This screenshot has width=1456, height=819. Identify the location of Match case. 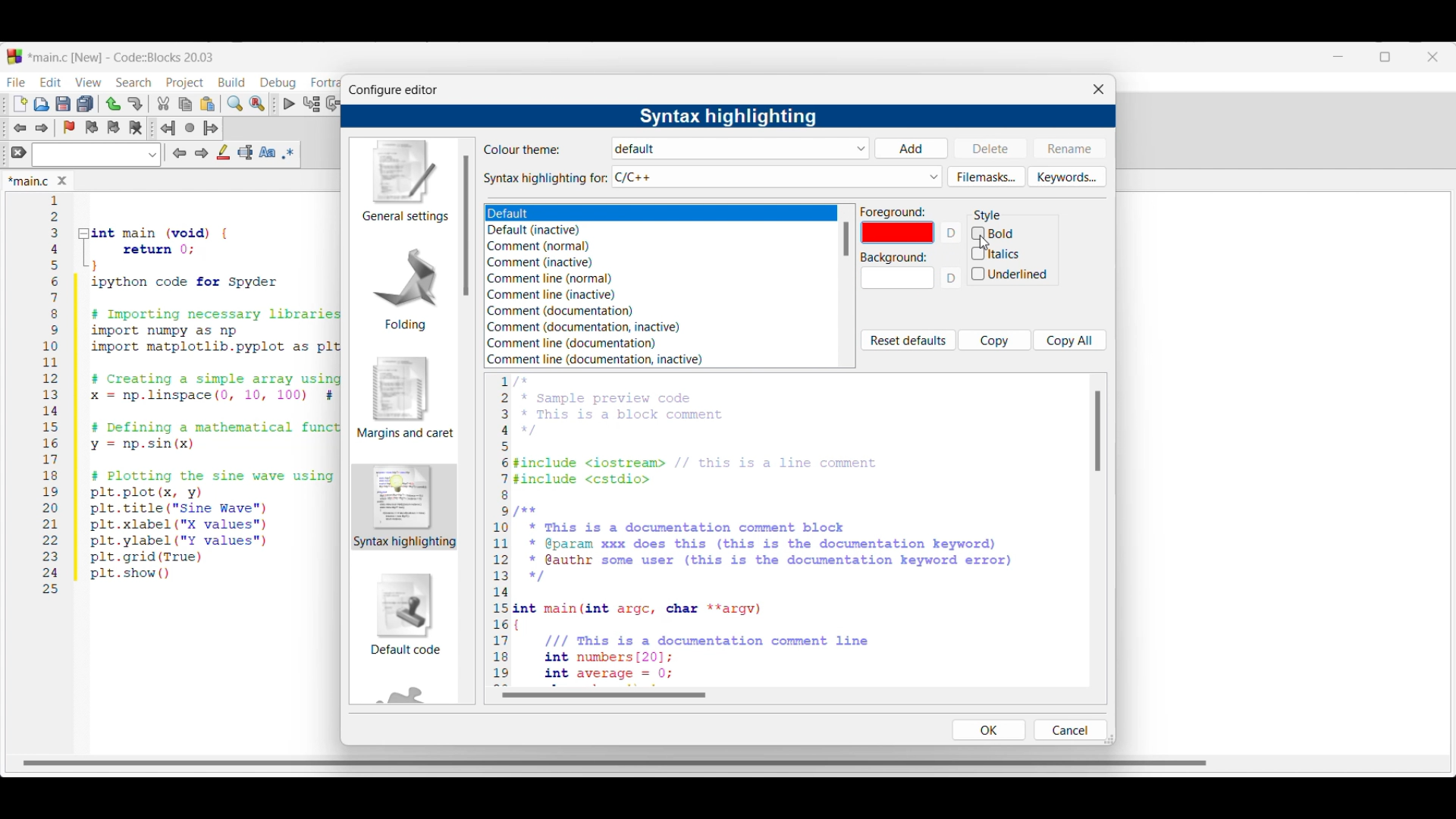
(267, 152).